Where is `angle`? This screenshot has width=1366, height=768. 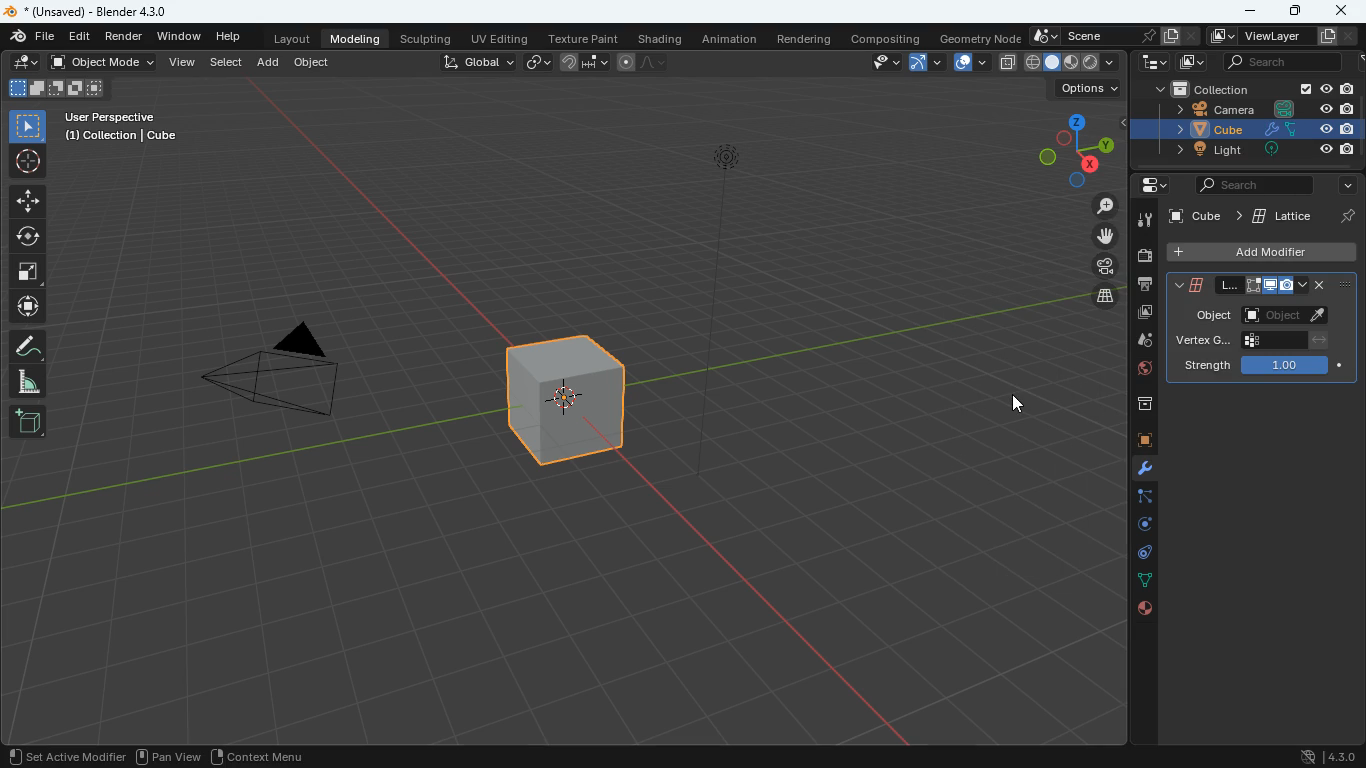 angle is located at coordinates (36, 382).